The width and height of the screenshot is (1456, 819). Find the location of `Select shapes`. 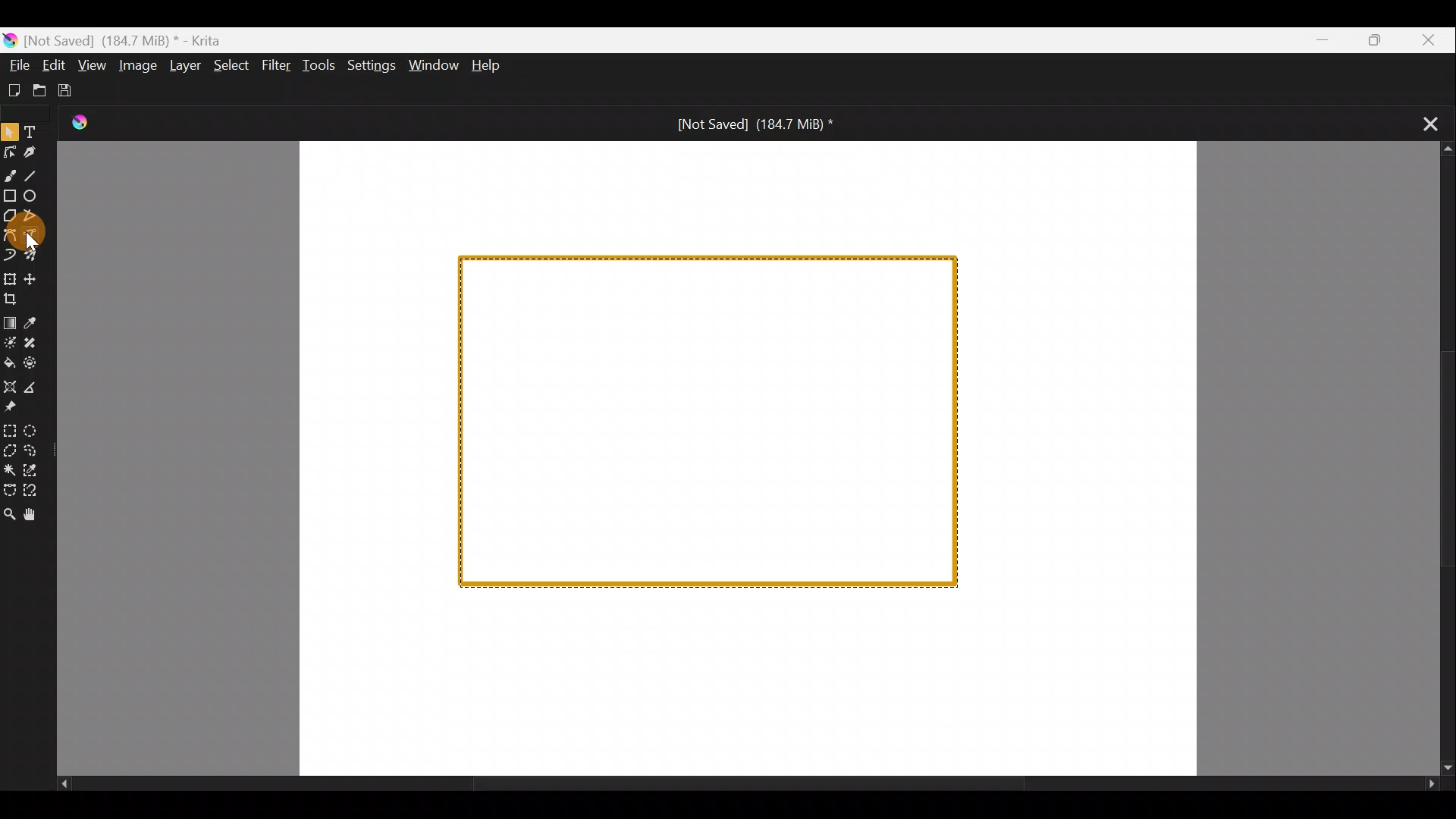

Select shapes is located at coordinates (11, 130).